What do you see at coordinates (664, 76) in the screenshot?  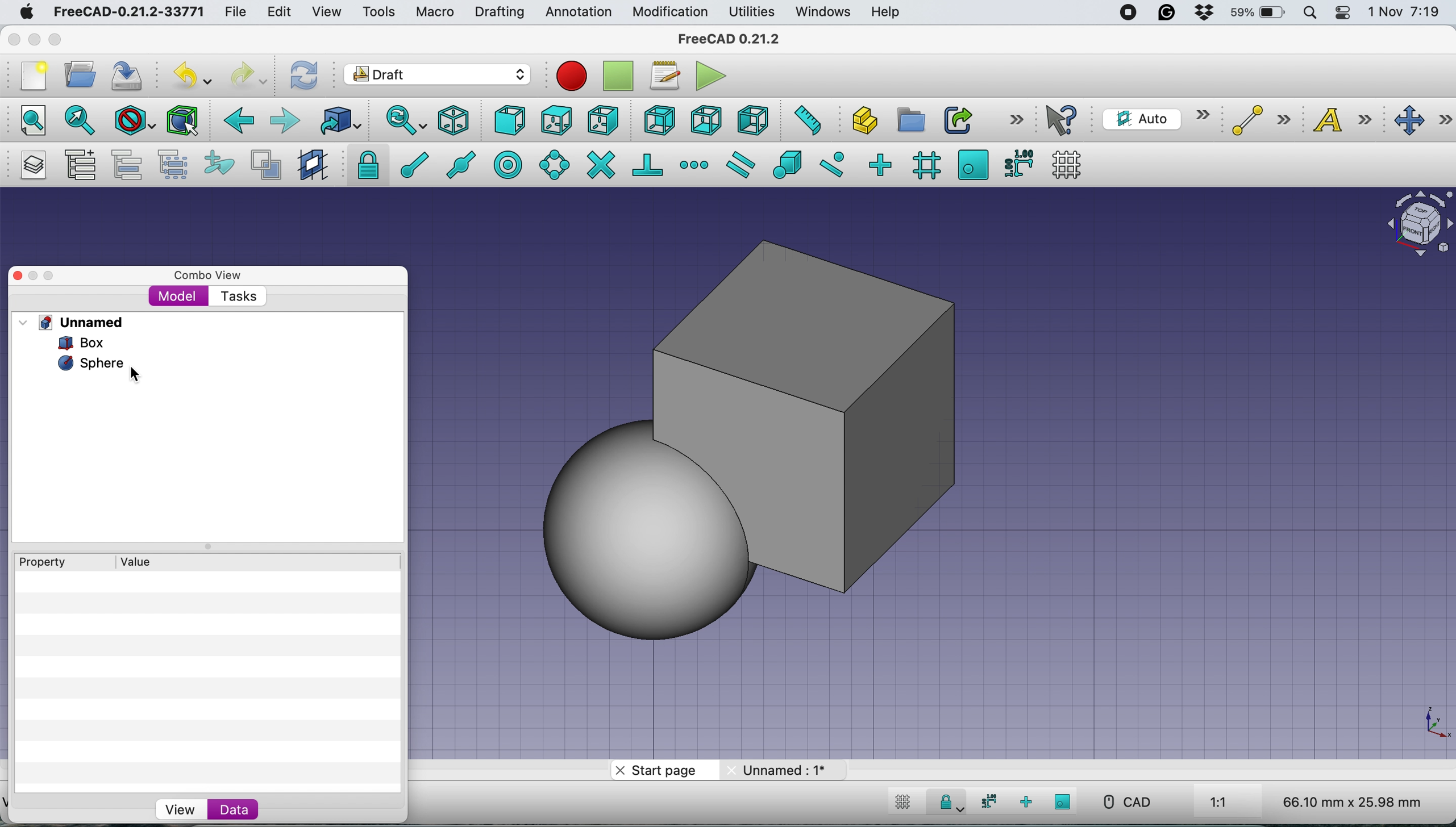 I see `macros` at bounding box center [664, 76].